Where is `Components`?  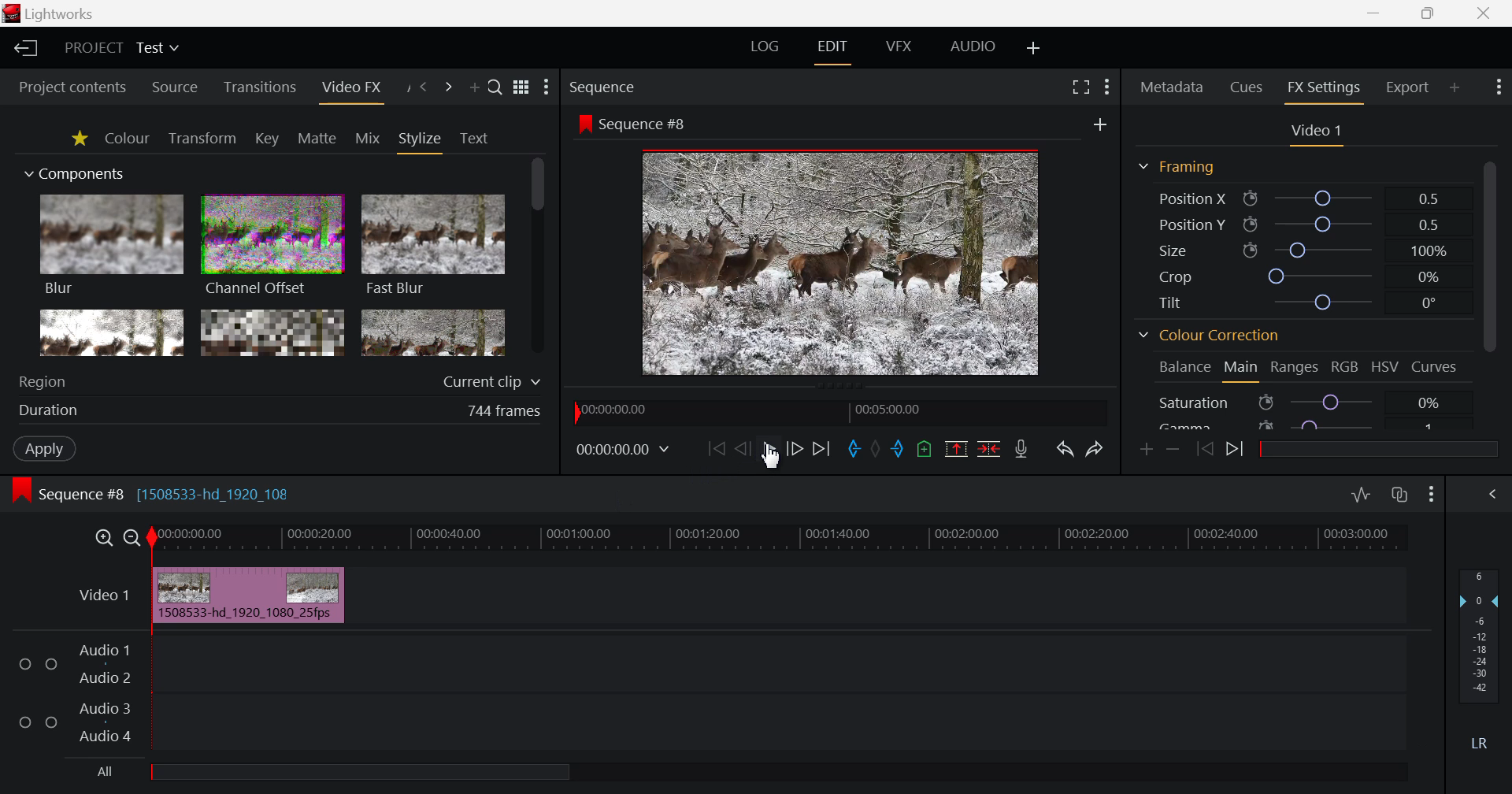
Components is located at coordinates (76, 175).